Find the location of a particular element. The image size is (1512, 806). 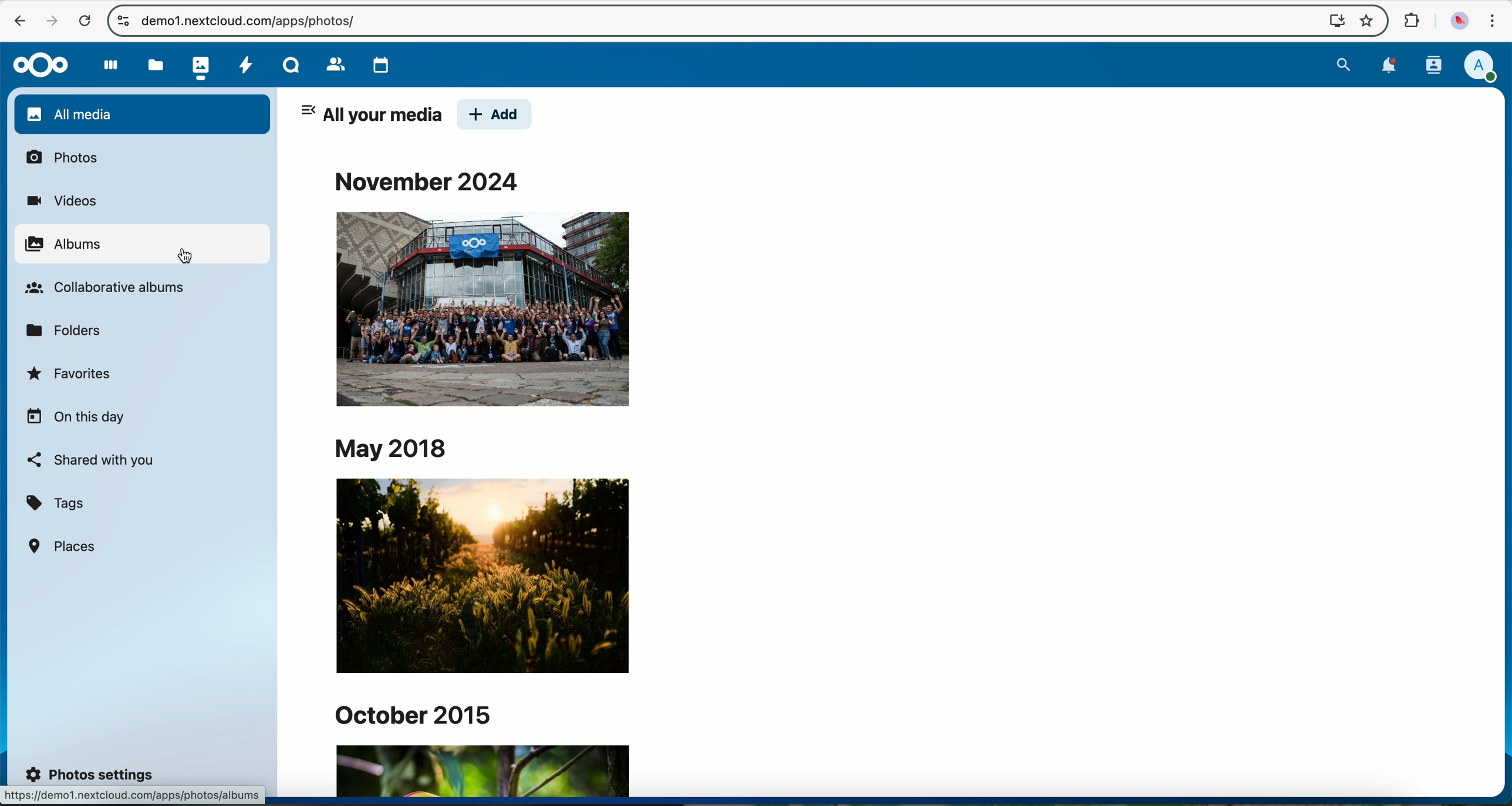

contacts is located at coordinates (1430, 65).